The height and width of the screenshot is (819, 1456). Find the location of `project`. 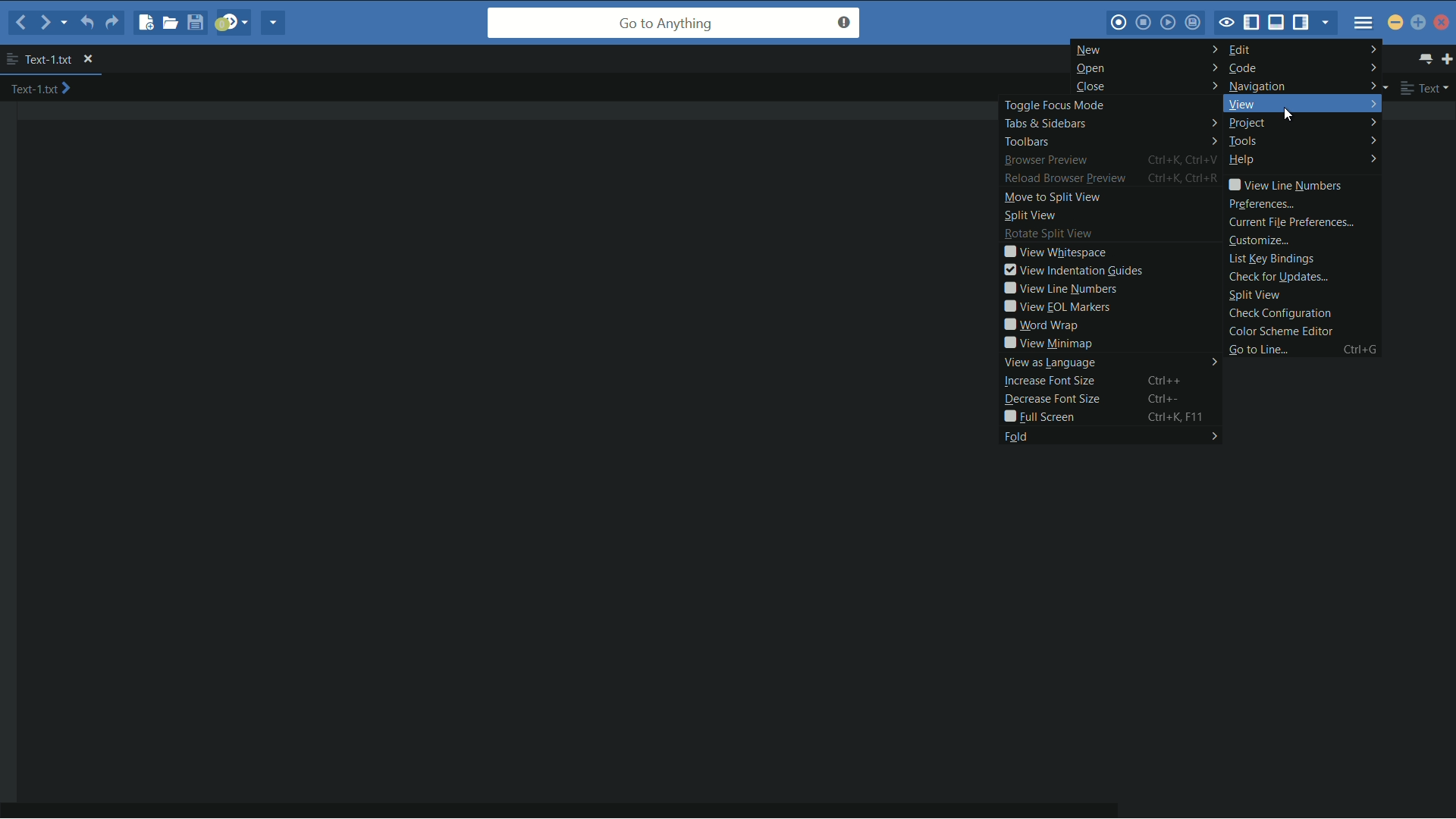

project is located at coordinates (1304, 124).